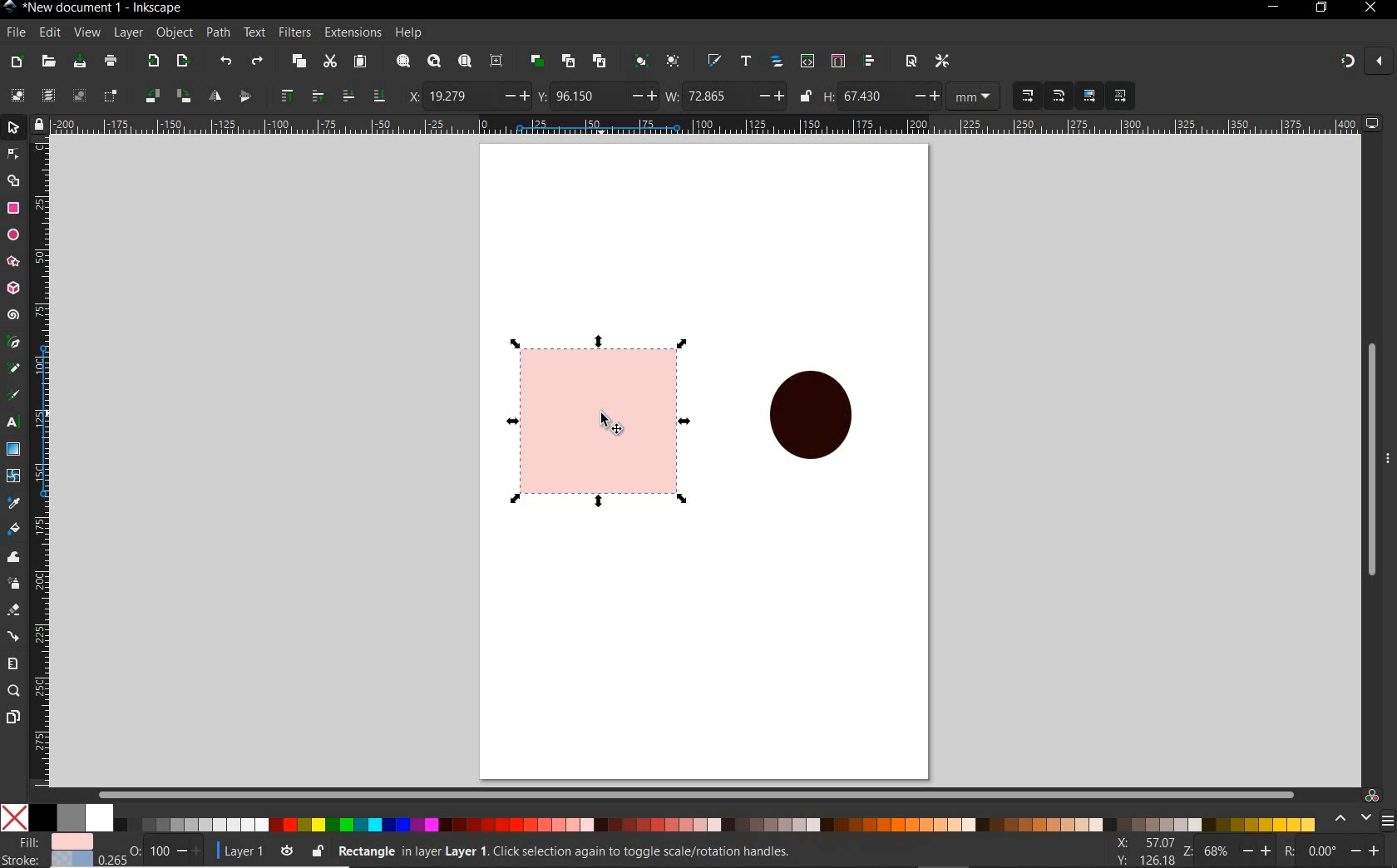 The image size is (1397, 868). I want to click on close, so click(1369, 8).